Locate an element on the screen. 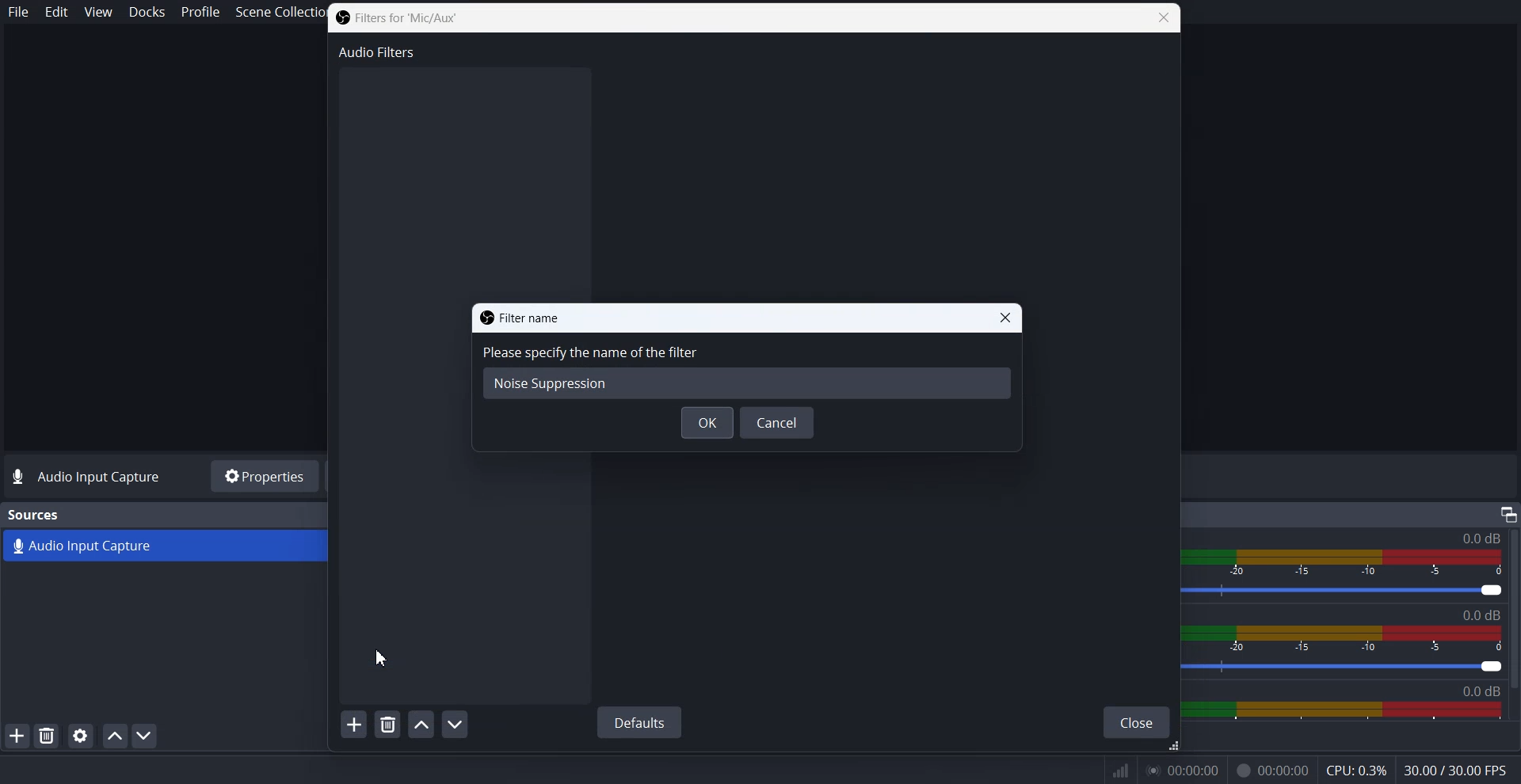 This screenshot has height=784, width=1521. Add Filters is located at coordinates (354, 724).